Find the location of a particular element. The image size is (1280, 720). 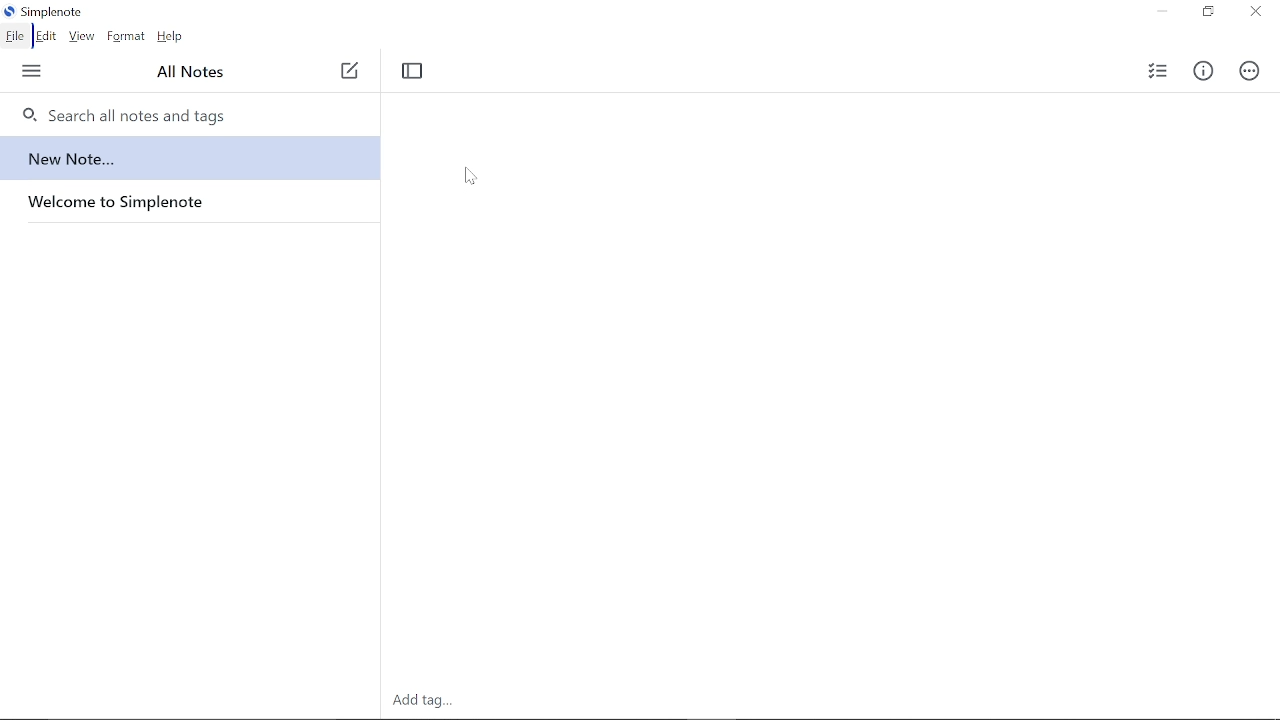

Note titled "Welcome to Simplenote" is located at coordinates (183, 201).